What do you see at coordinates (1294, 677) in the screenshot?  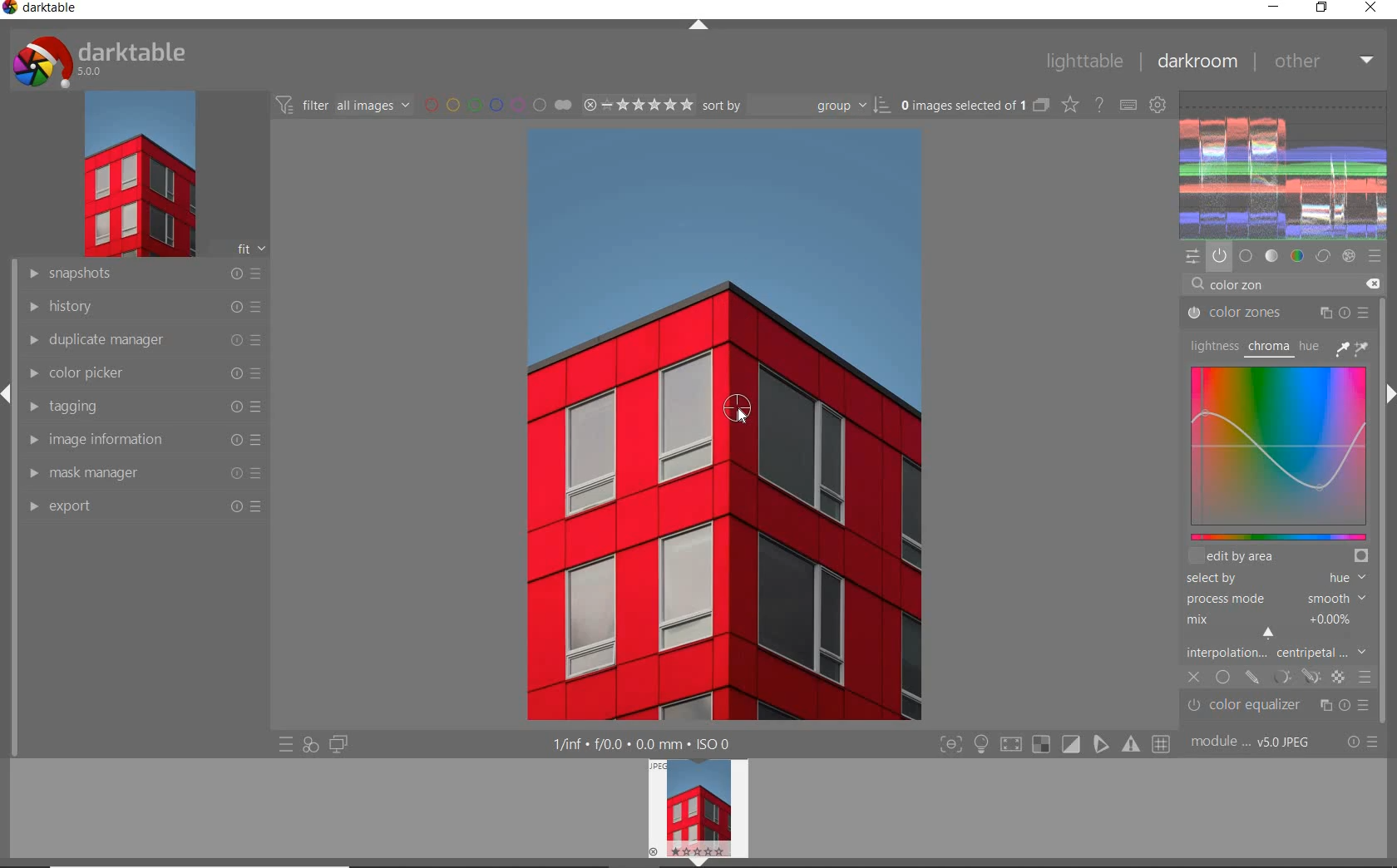 I see `MASK OPTIONS` at bounding box center [1294, 677].